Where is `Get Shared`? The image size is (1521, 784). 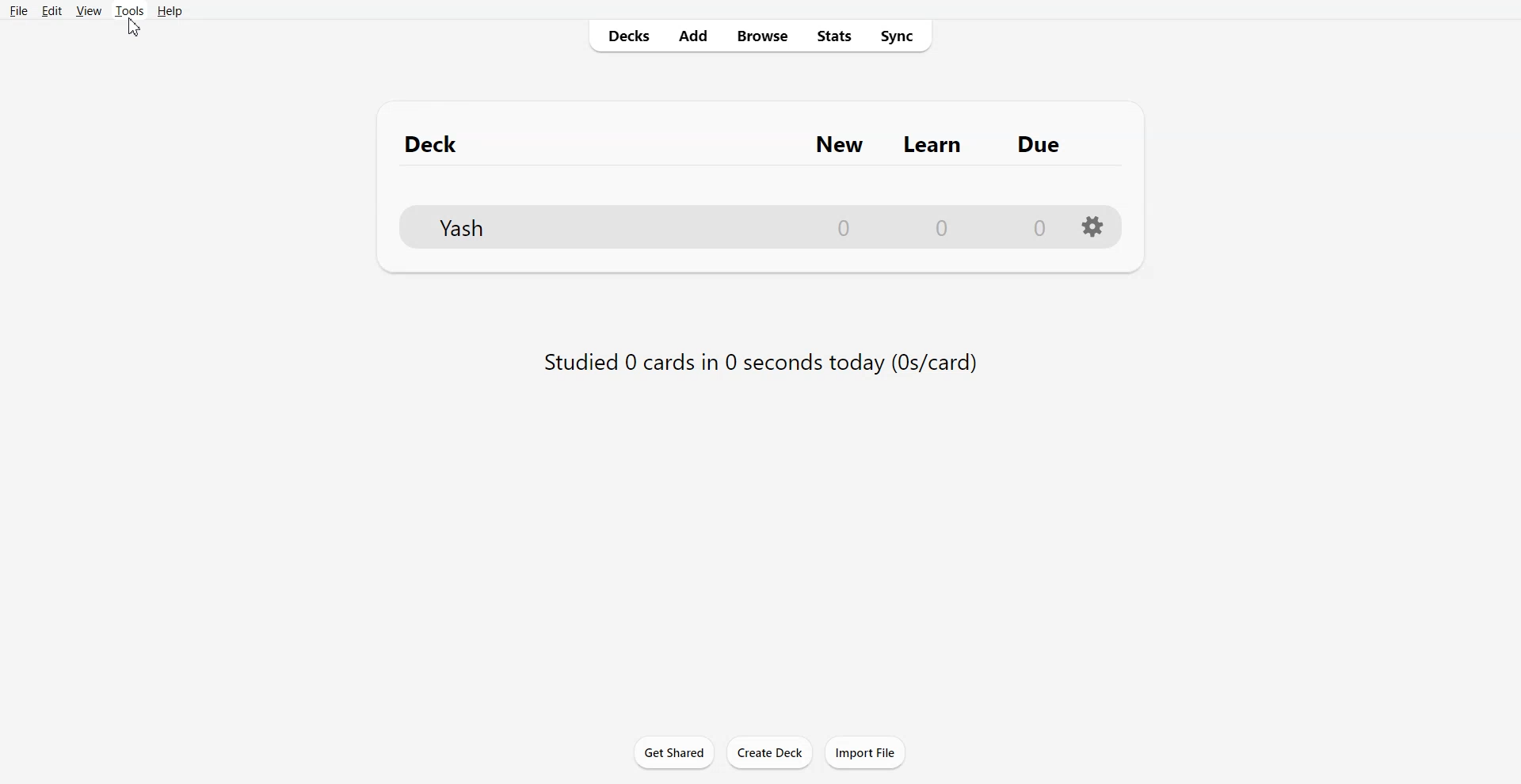
Get Shared is located at coordinates (674, 752).